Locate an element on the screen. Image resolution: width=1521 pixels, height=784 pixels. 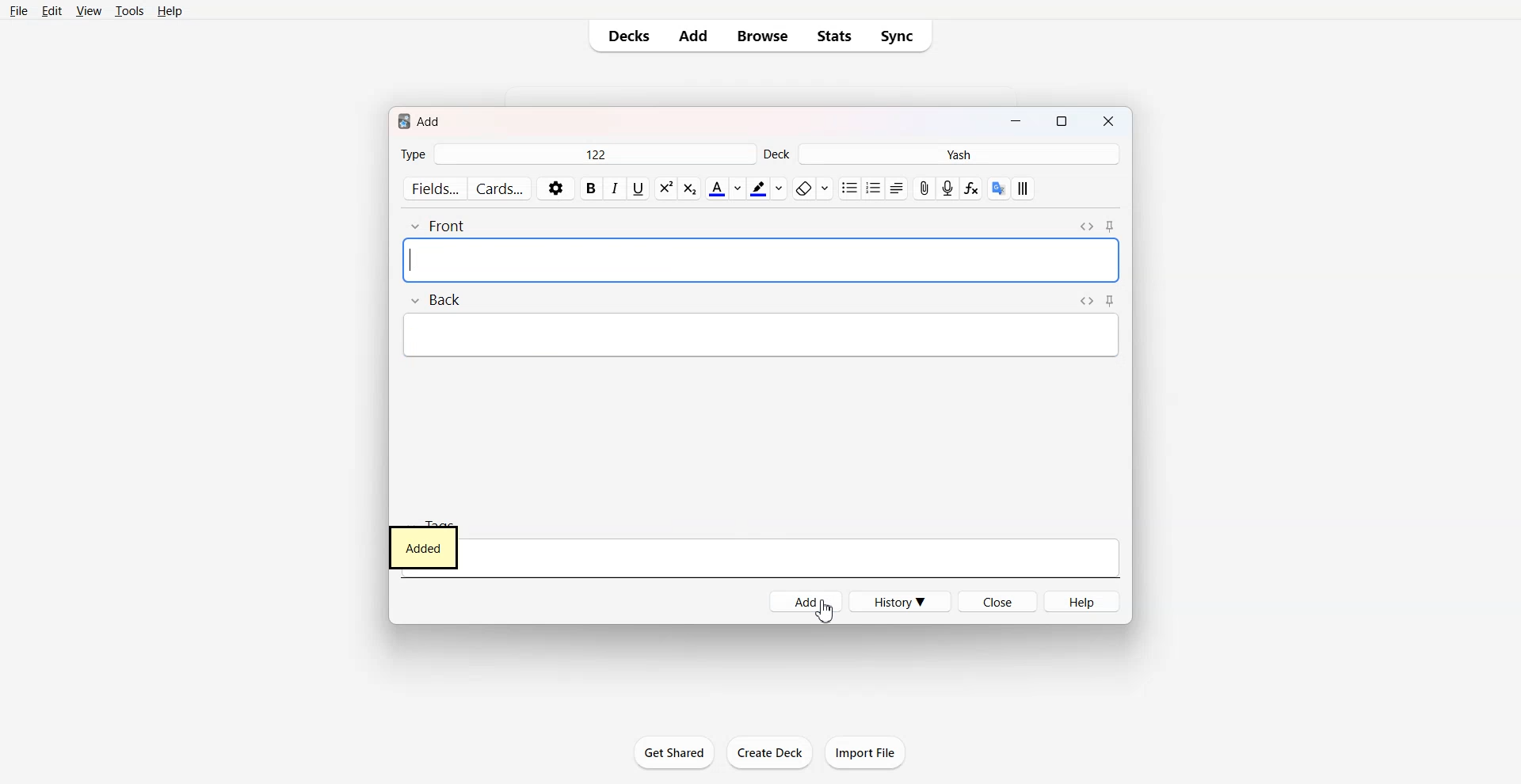
View is located at coordinates (89, 12).